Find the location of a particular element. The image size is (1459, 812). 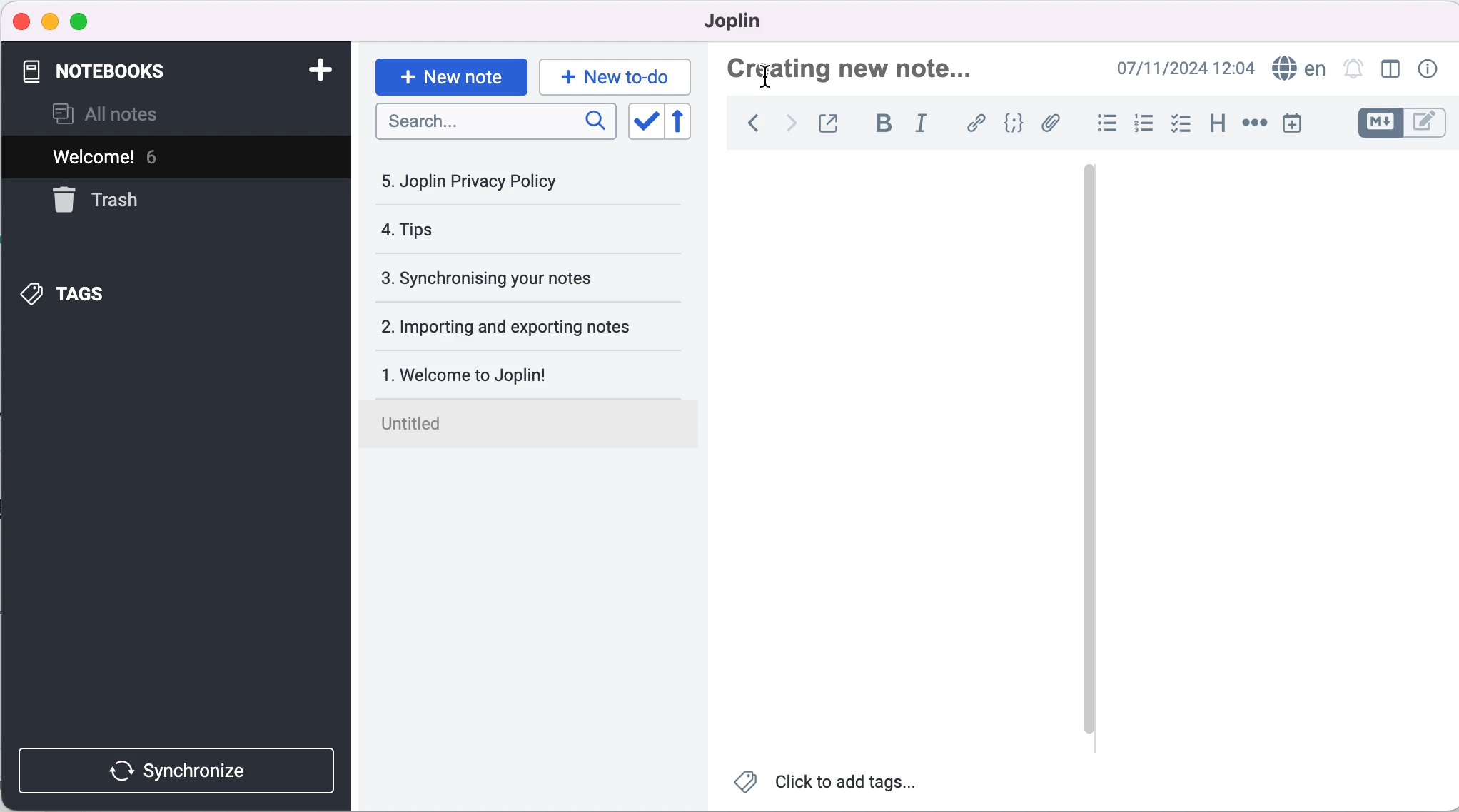

cursor is located at coordinates (774, 78).